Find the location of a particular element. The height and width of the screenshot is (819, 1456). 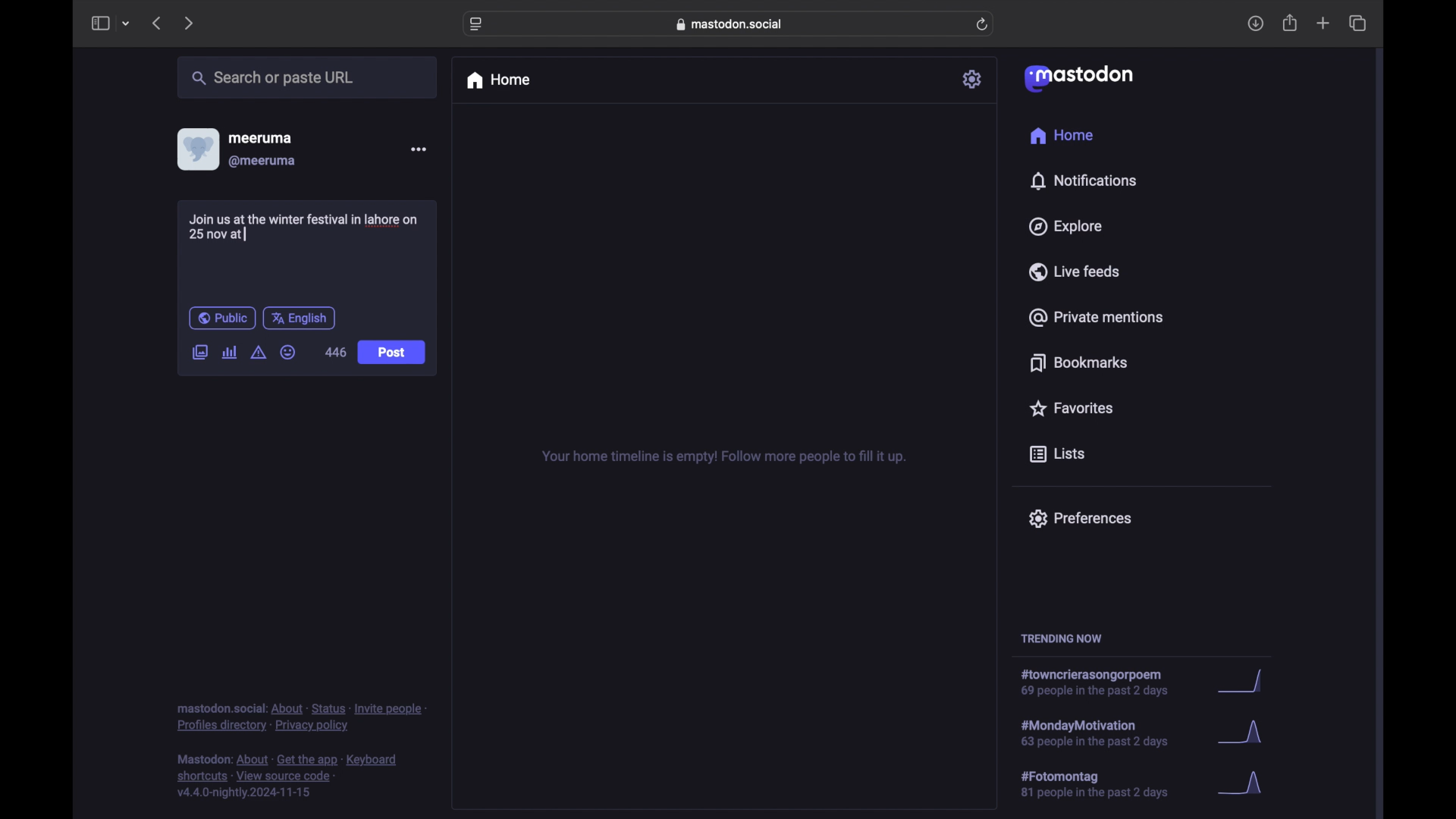

hashtag trend is located at coordinates (1103, 683).